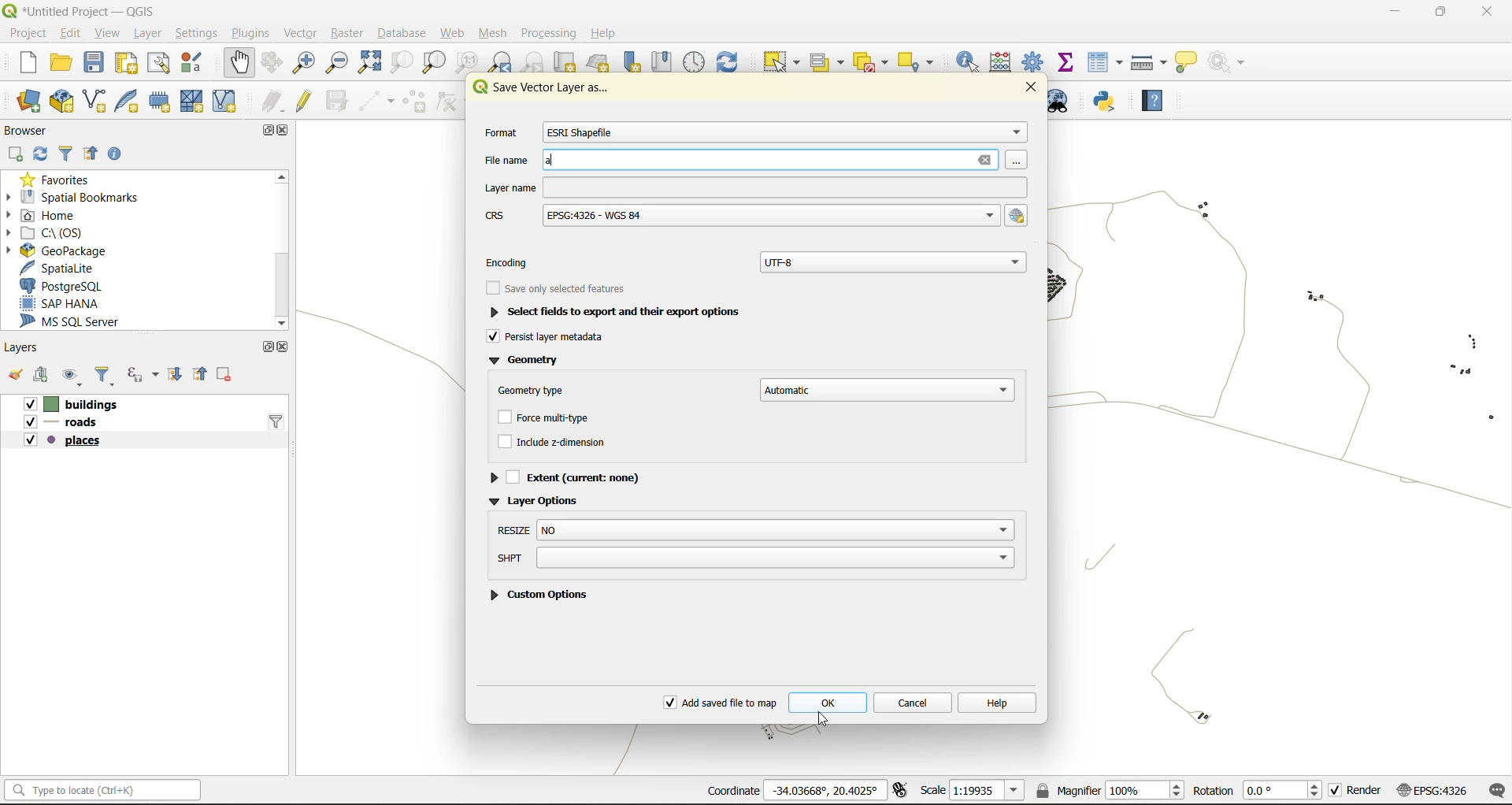 This screenshot has width=1512, height=805. I want to click on close, so click(1038, 88).